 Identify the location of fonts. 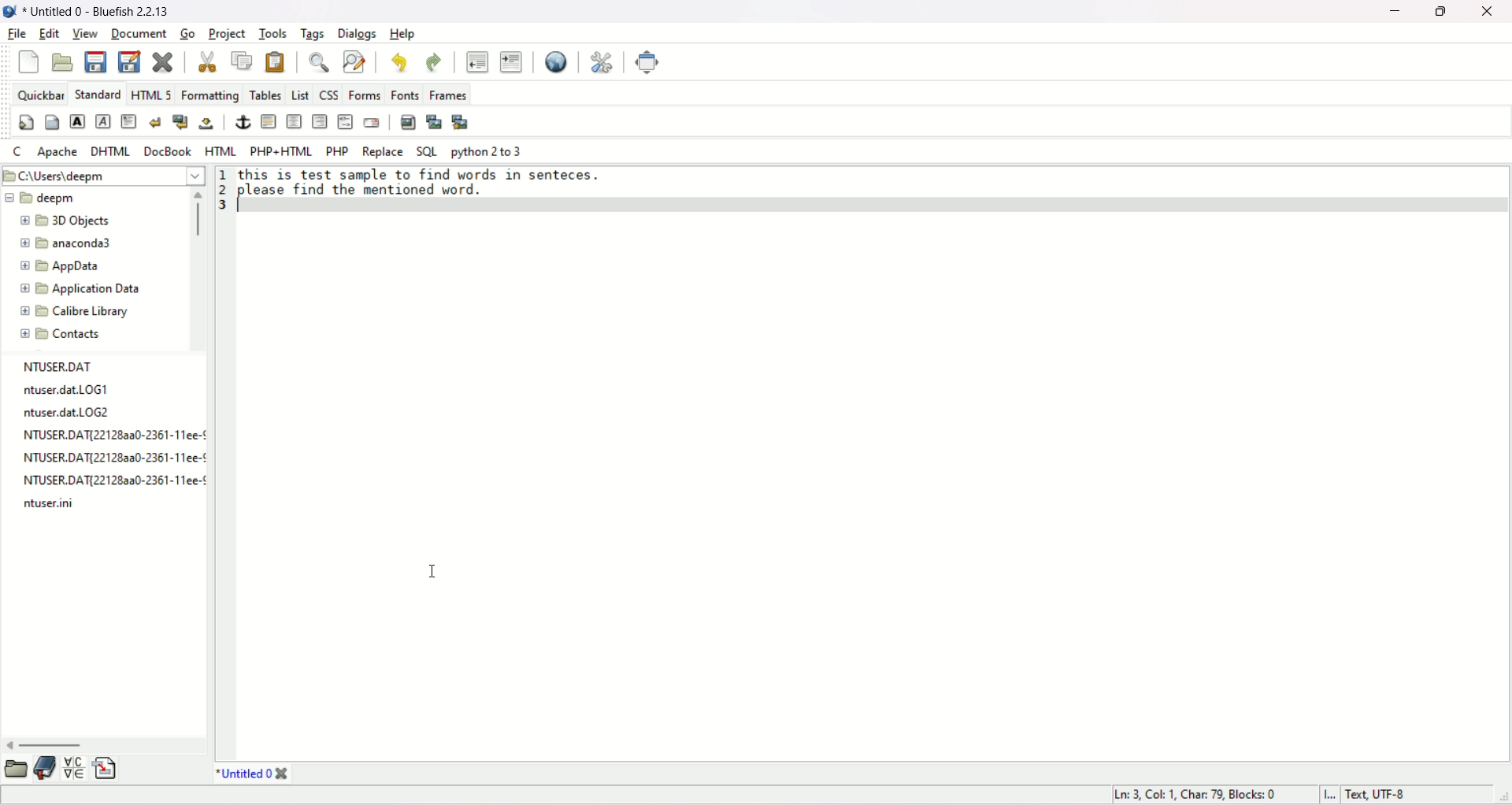
(404, 93).